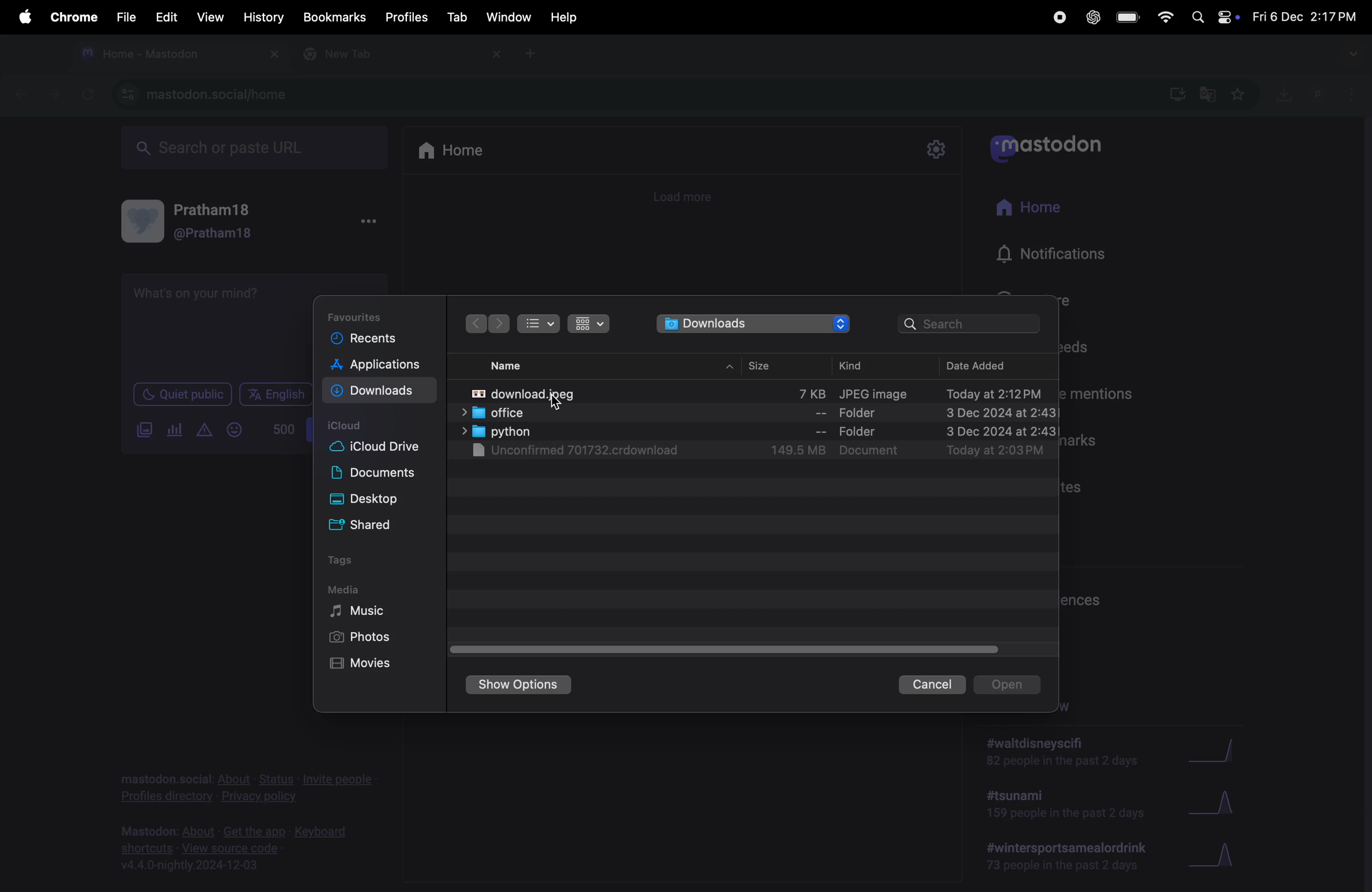 This screenshot has width=1372, height=892. Describe the element at coordinates (381, 475) in the screenshot. I see `documents` at that location.